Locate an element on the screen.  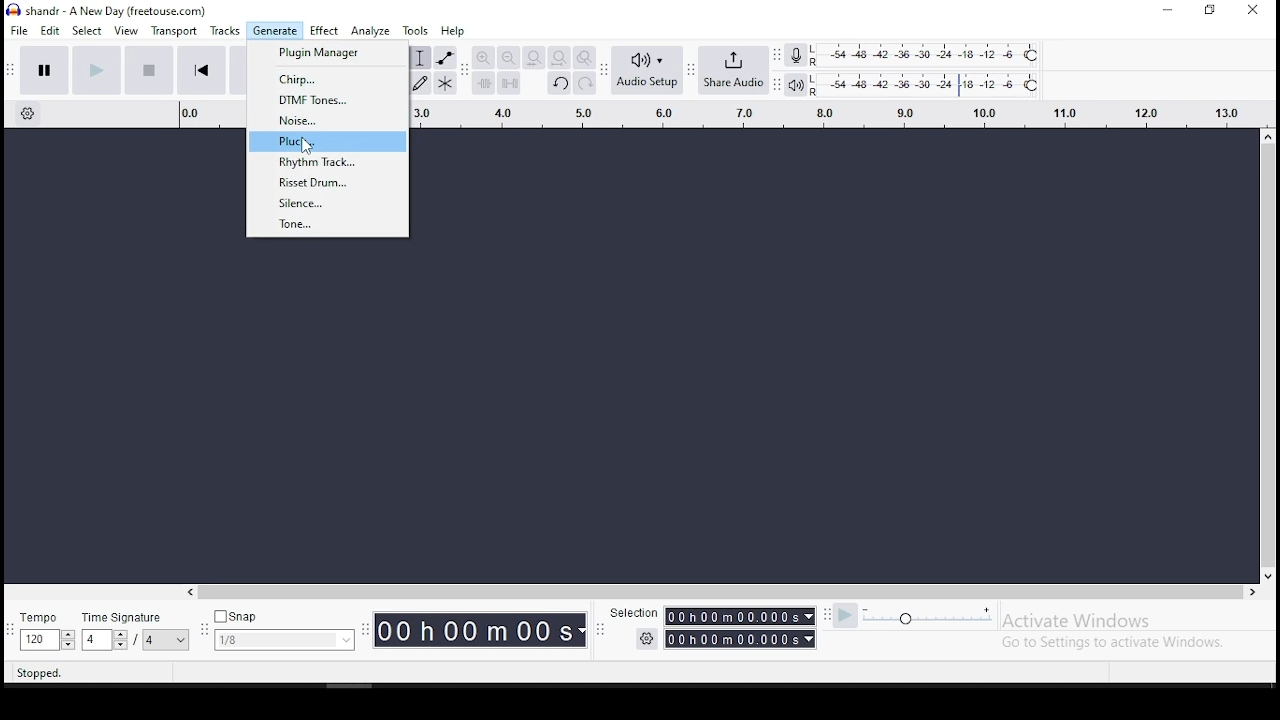
fit project to width is located at coordinates (559, 58).